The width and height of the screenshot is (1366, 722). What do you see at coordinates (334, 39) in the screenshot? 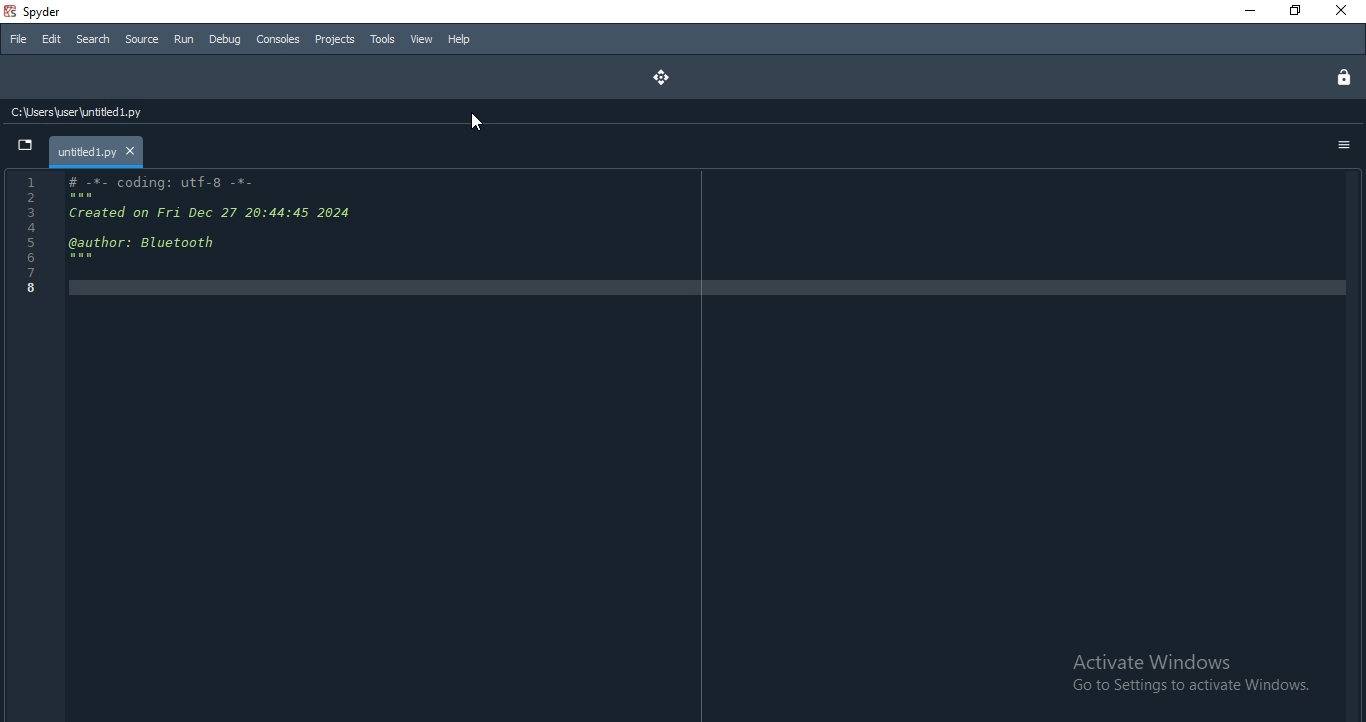
I see `Projects` at bounding box center [334, 39].